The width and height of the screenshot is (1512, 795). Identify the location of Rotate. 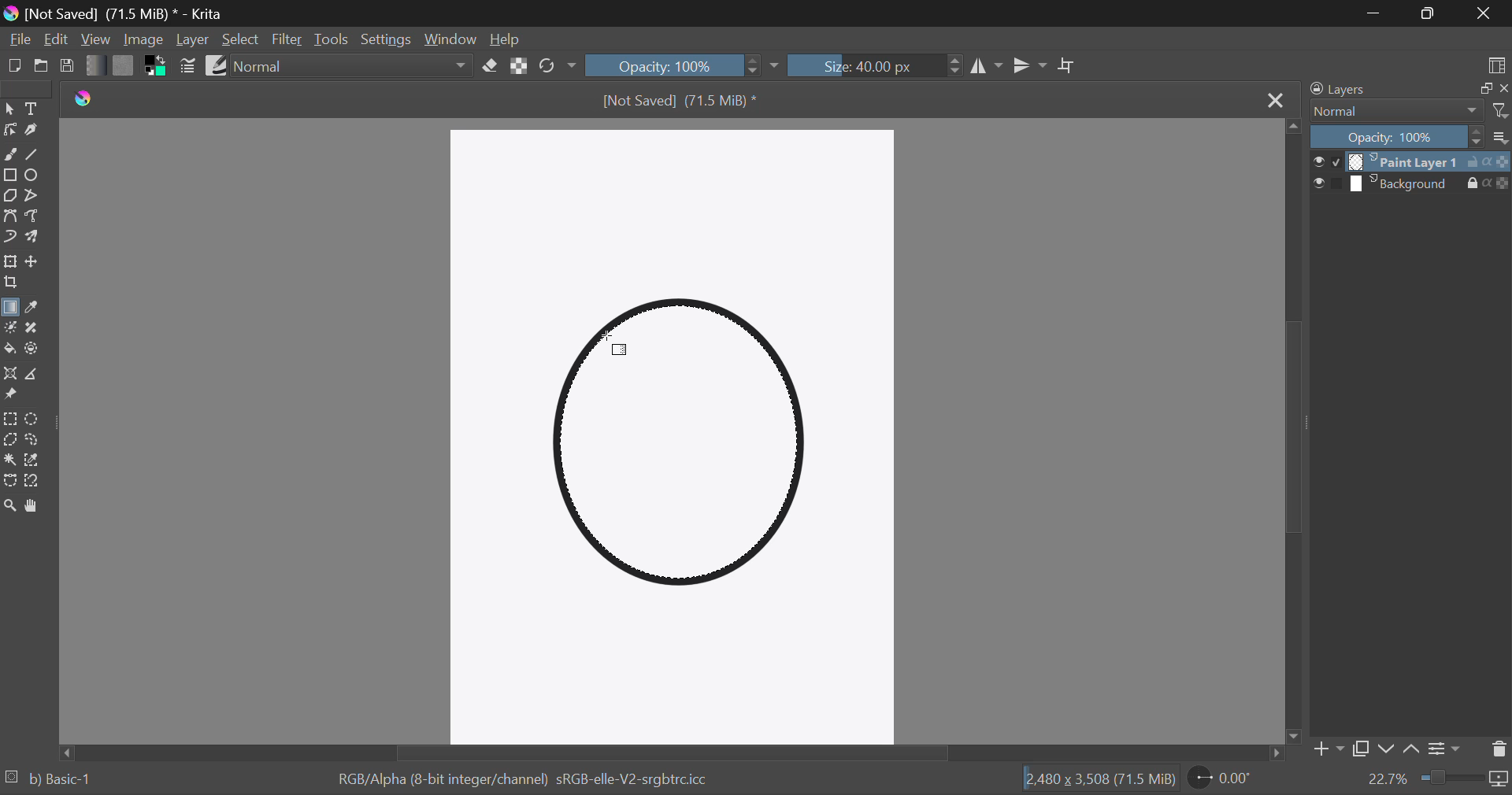
(556, 65).